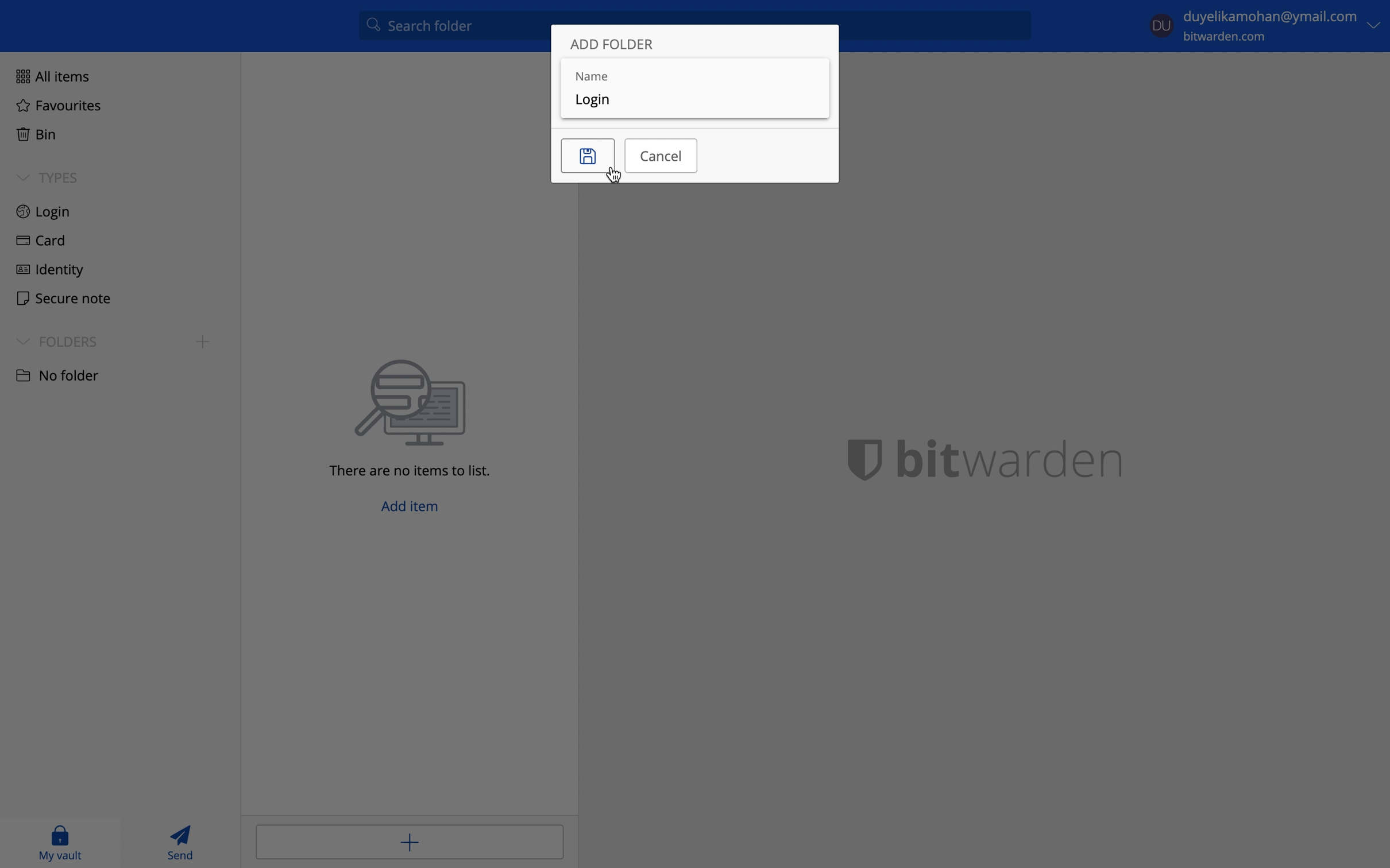 This screenshot has height=868, width=1390. Describe the element at coordinates (48, 177) in the screenshot. I see `types` at that location.